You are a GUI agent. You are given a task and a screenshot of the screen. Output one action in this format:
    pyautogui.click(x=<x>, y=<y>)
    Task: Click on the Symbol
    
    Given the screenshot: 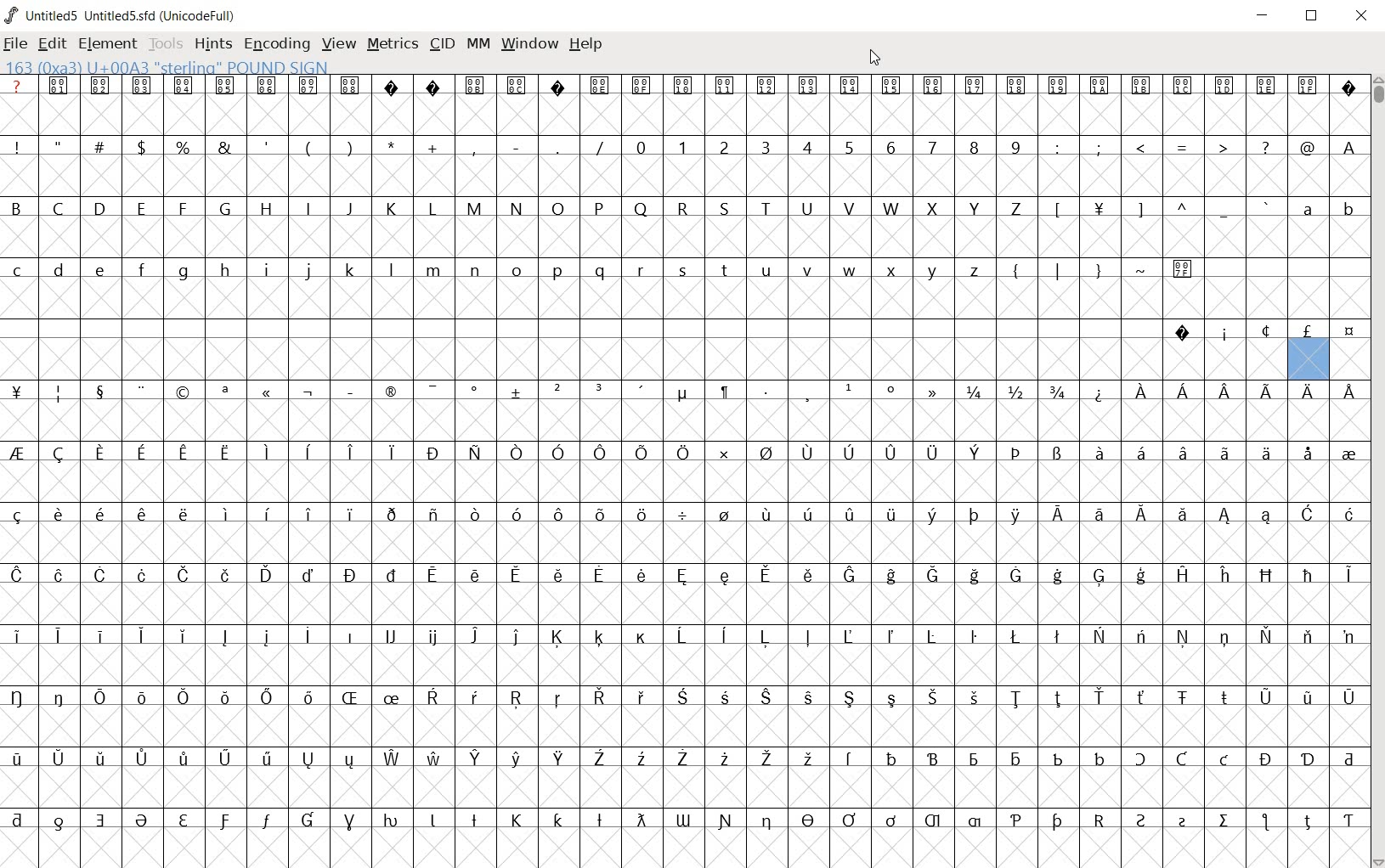 What is the action you would take?
    pyautogui.click(x=1264, y=331)
    